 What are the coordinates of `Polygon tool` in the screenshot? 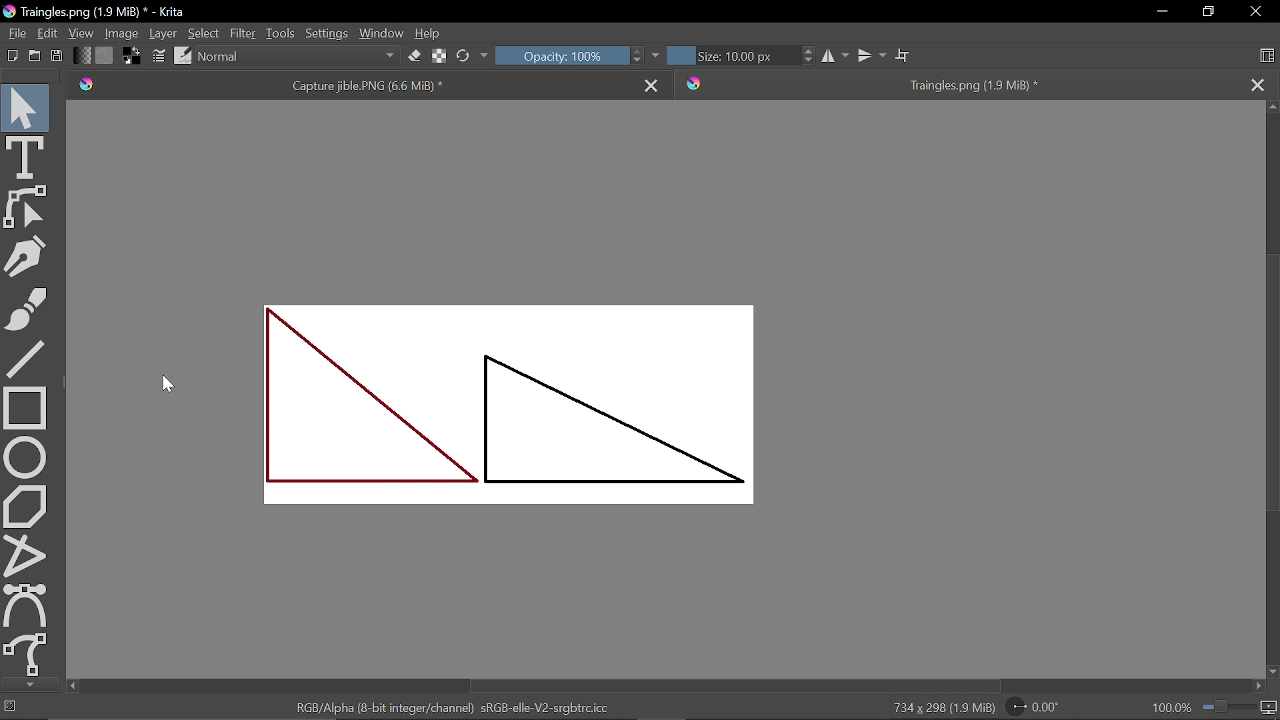 It's located at (28, 506).